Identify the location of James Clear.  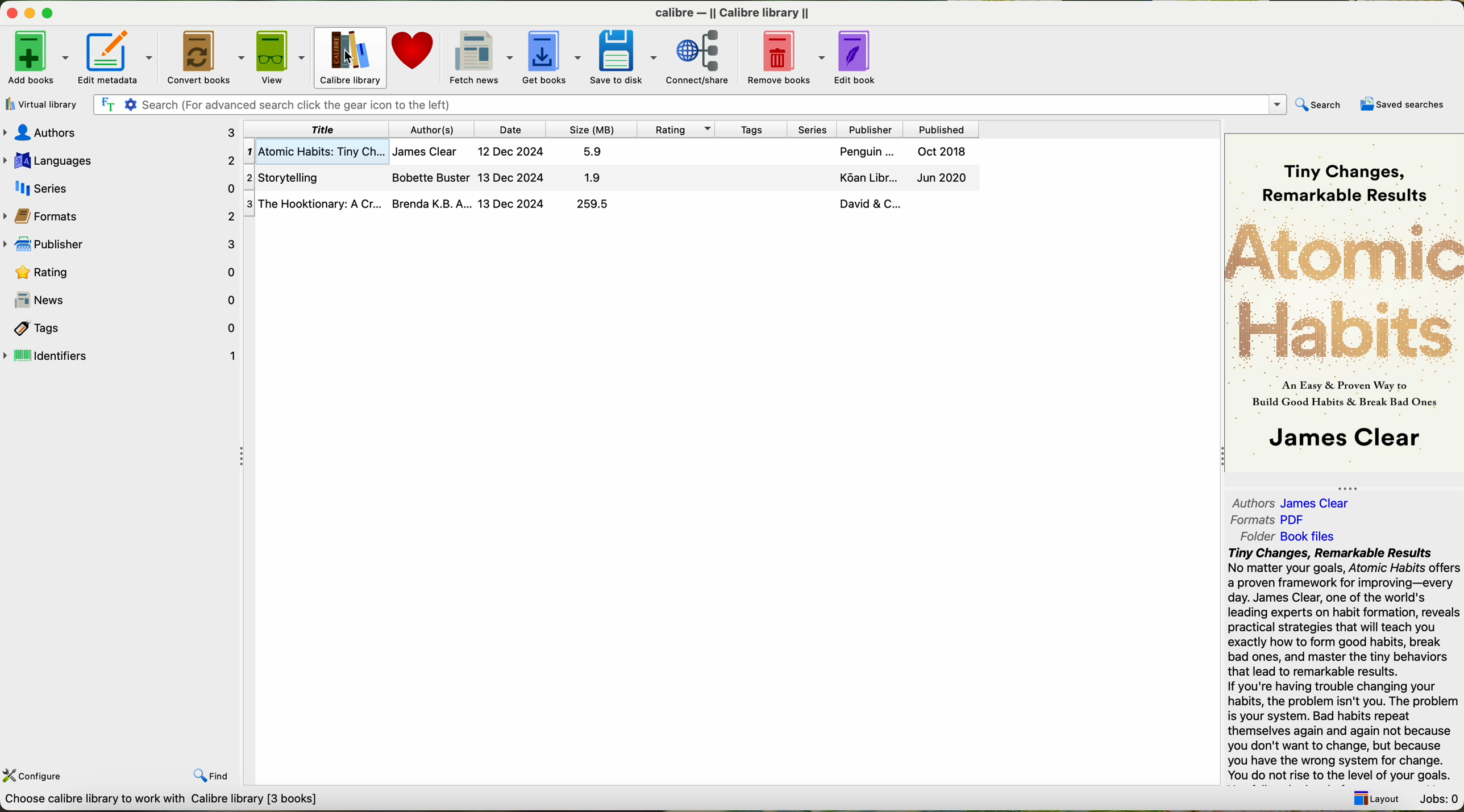
(1343, 440).